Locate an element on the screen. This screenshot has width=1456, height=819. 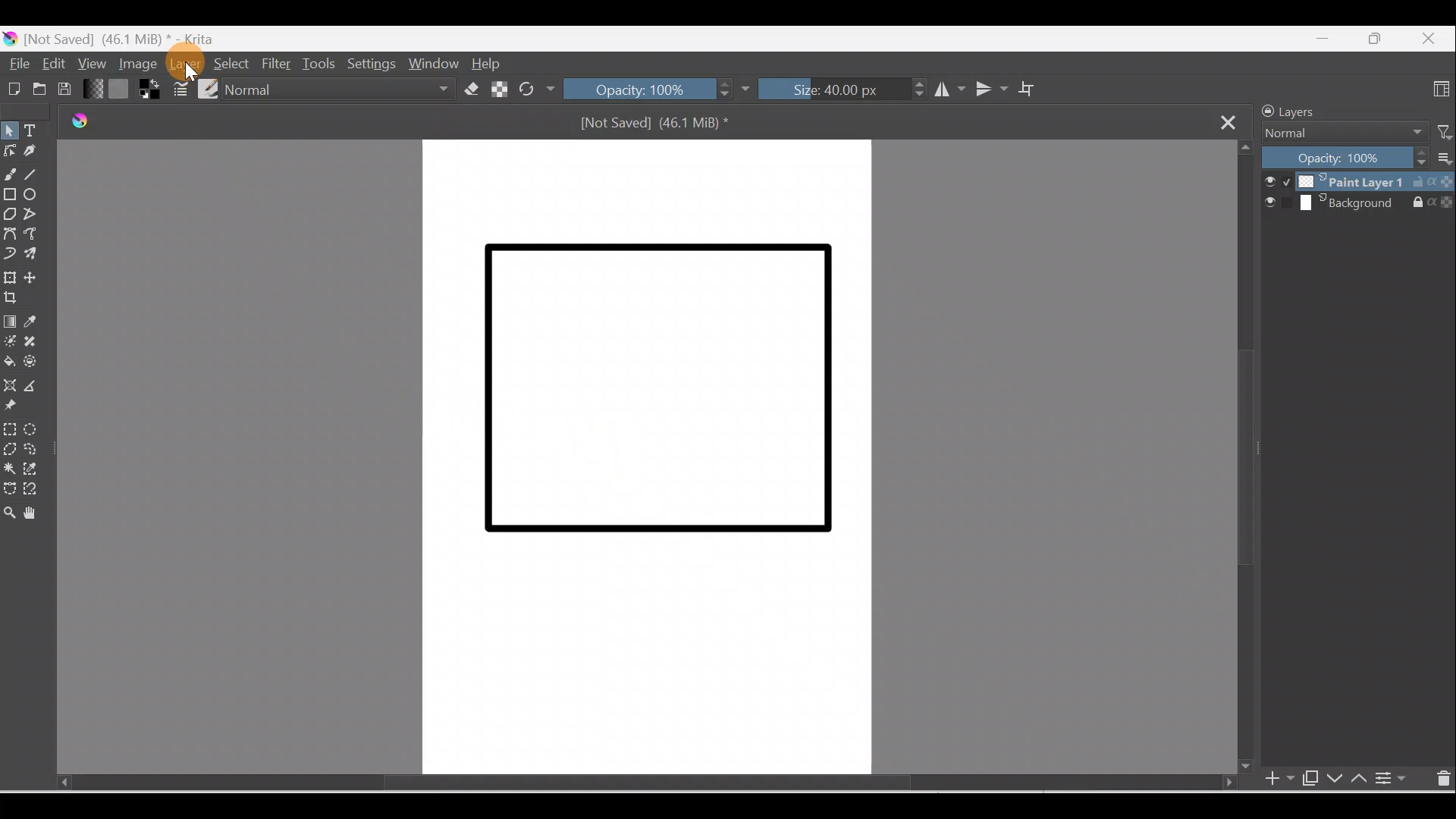
Fill patterns is located at coordinates (122, 91).